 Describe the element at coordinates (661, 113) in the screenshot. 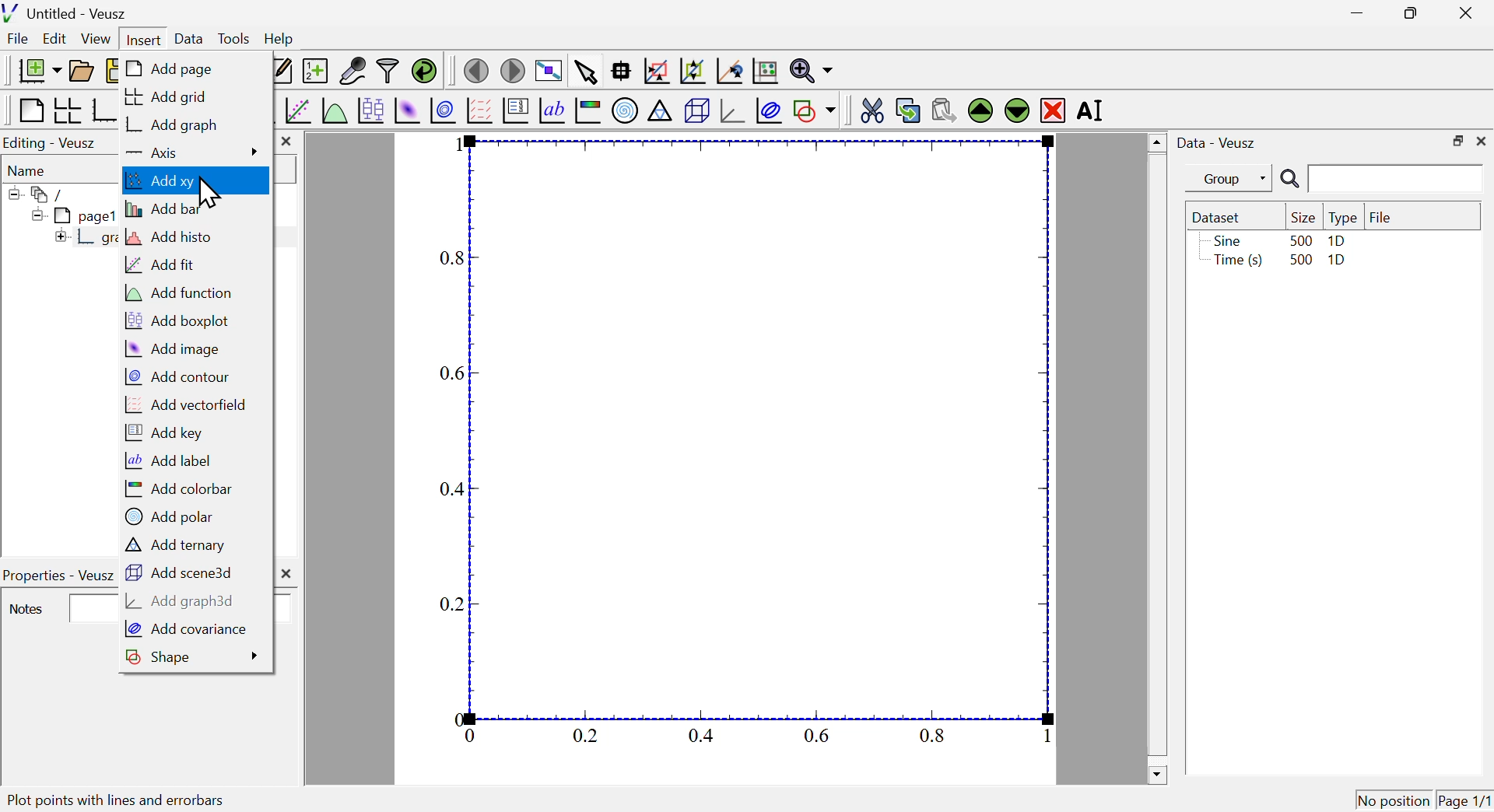

I see `ternary graph` at that location.